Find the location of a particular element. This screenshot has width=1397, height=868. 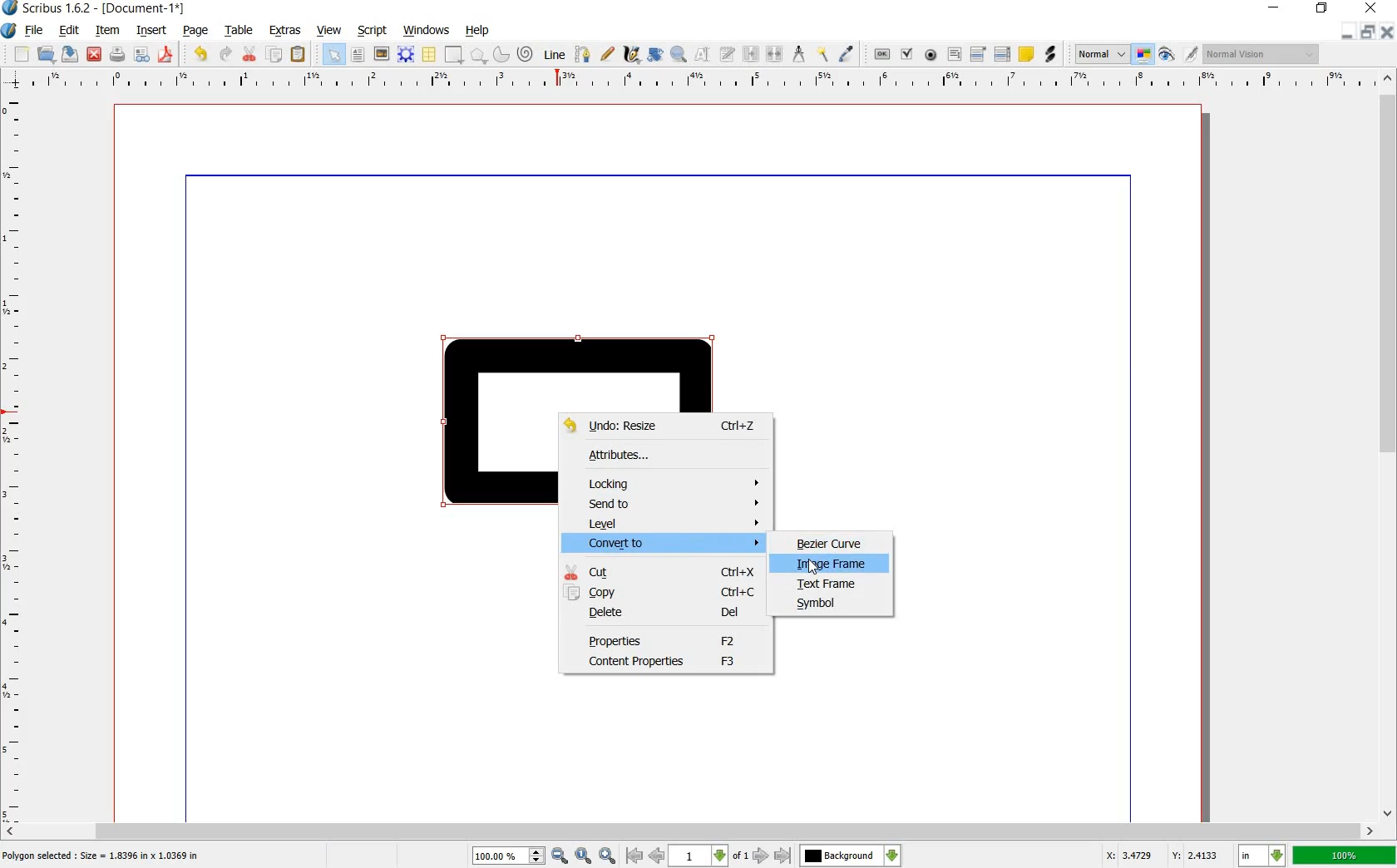

edit contents of frame is located at coordinates (702, 56).